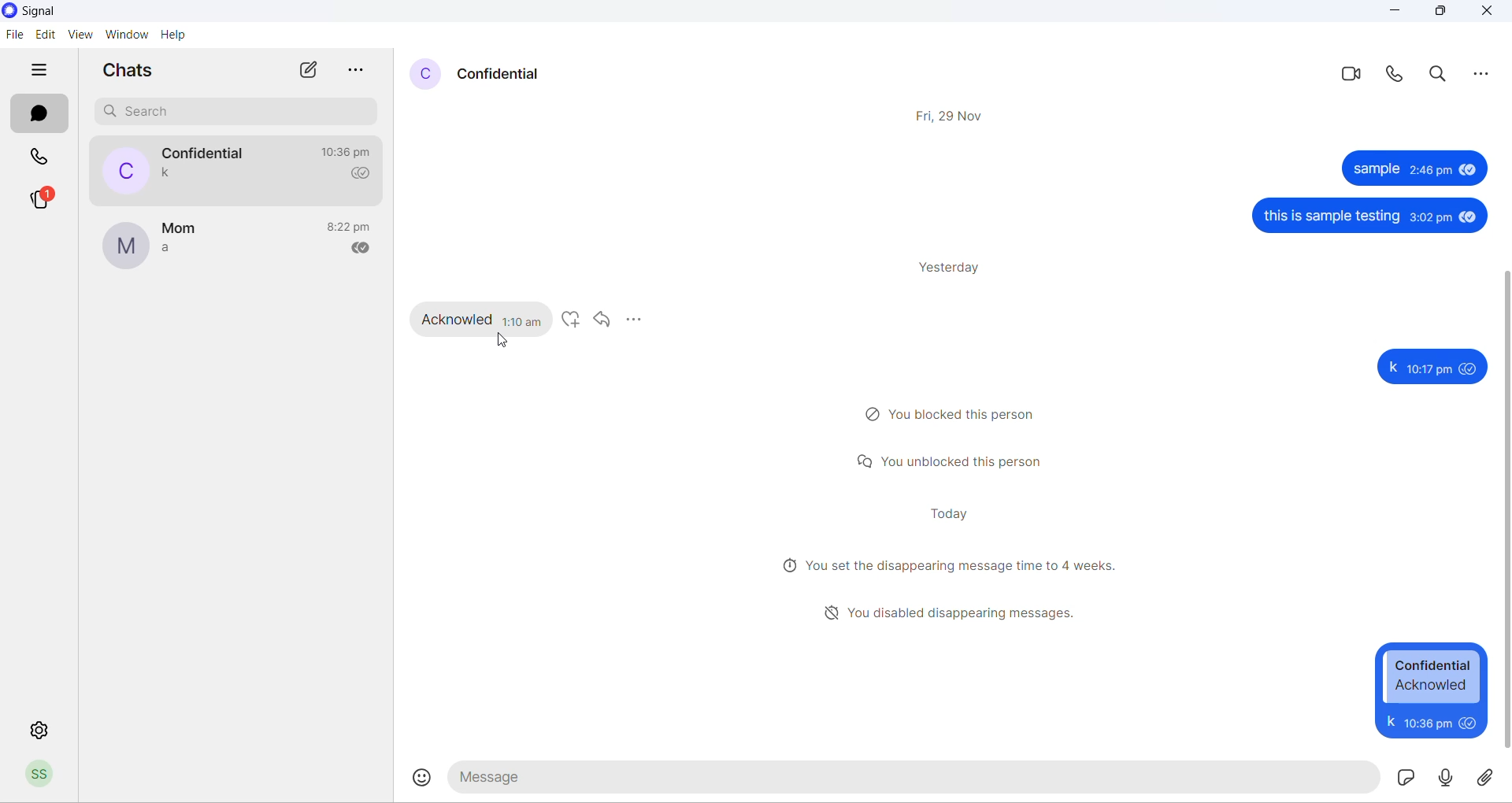 Image resolution: width=1512 pixels, height=803 pixels. Describe the element at coordinates (914, 777) in the screenshot. I see `message text area` at that location.